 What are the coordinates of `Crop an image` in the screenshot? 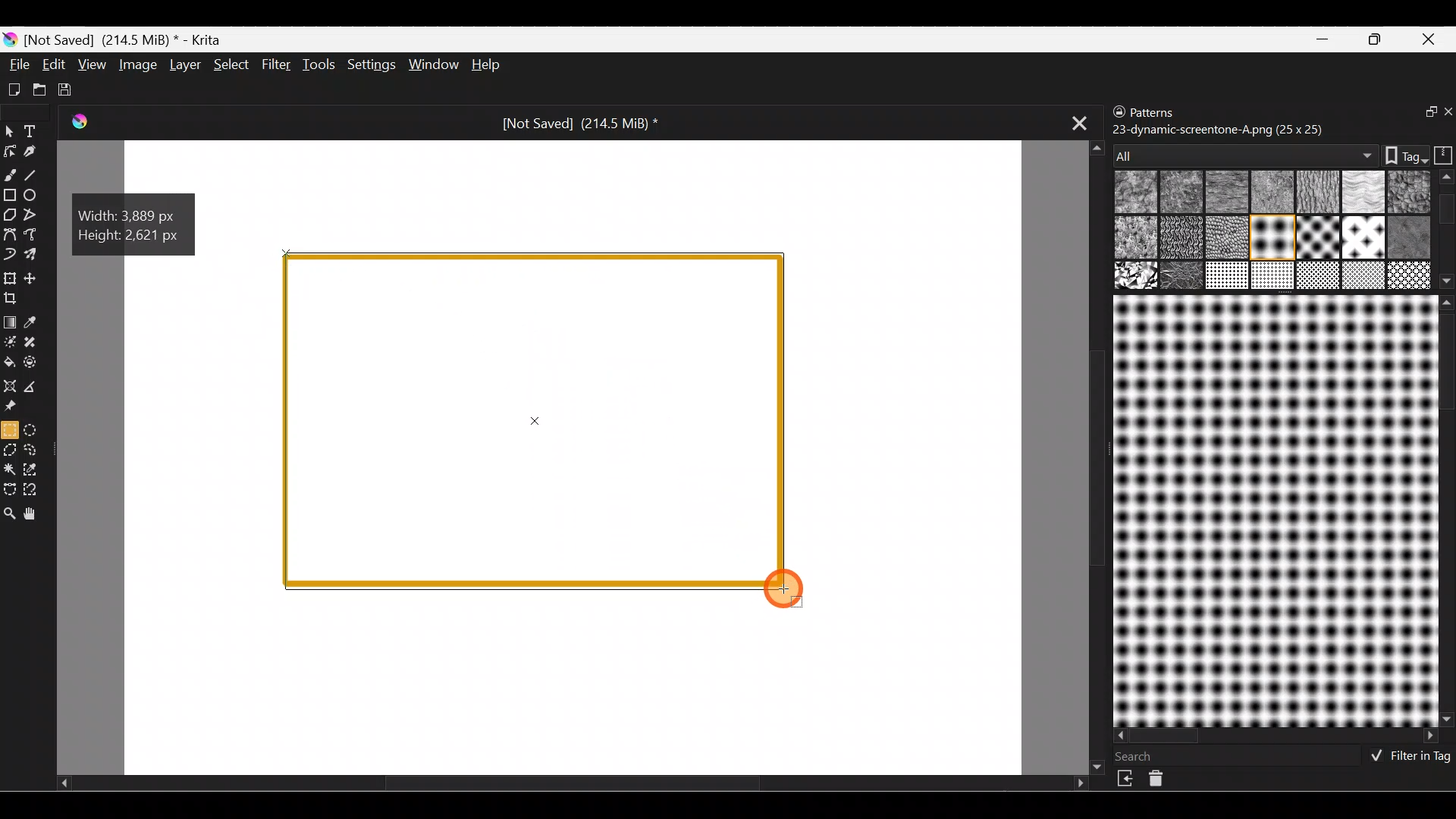 It's located at (17, 302).